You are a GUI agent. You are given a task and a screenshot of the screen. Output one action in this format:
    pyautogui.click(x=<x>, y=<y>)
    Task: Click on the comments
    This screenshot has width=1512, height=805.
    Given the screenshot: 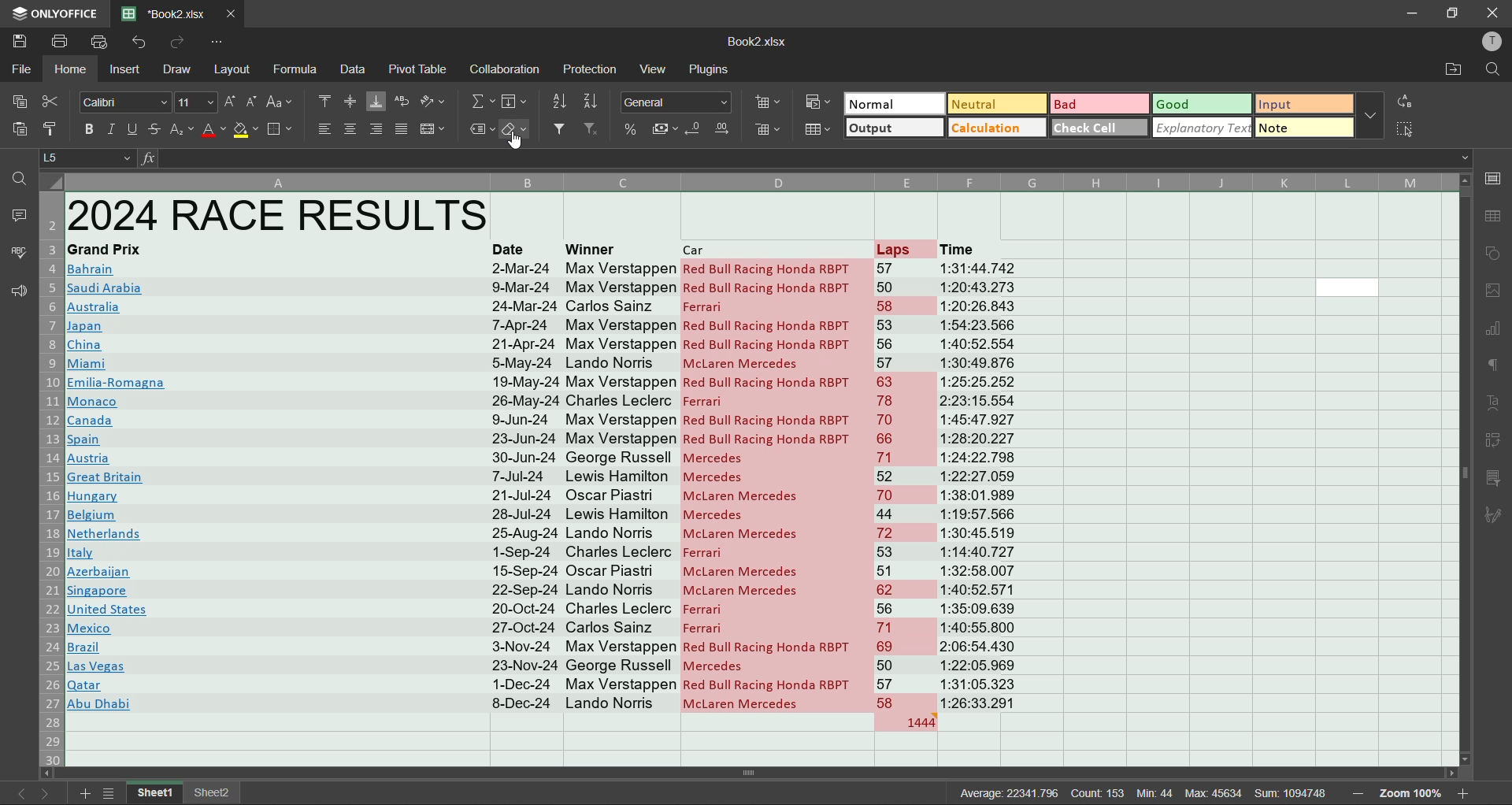 What is the action you would take?
    pyautogui.click(x=22, y=217)
    